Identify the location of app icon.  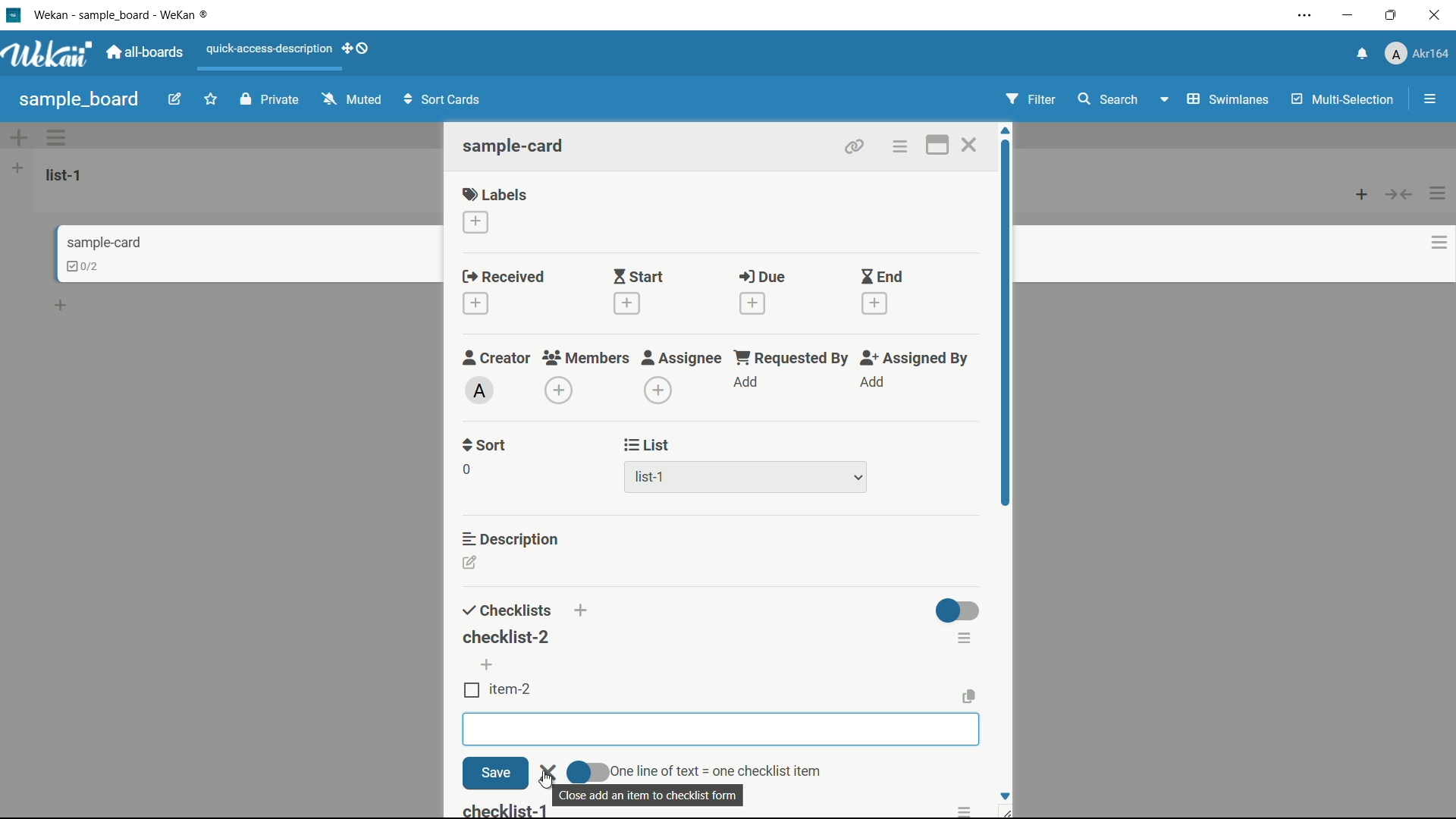
(13, 14).